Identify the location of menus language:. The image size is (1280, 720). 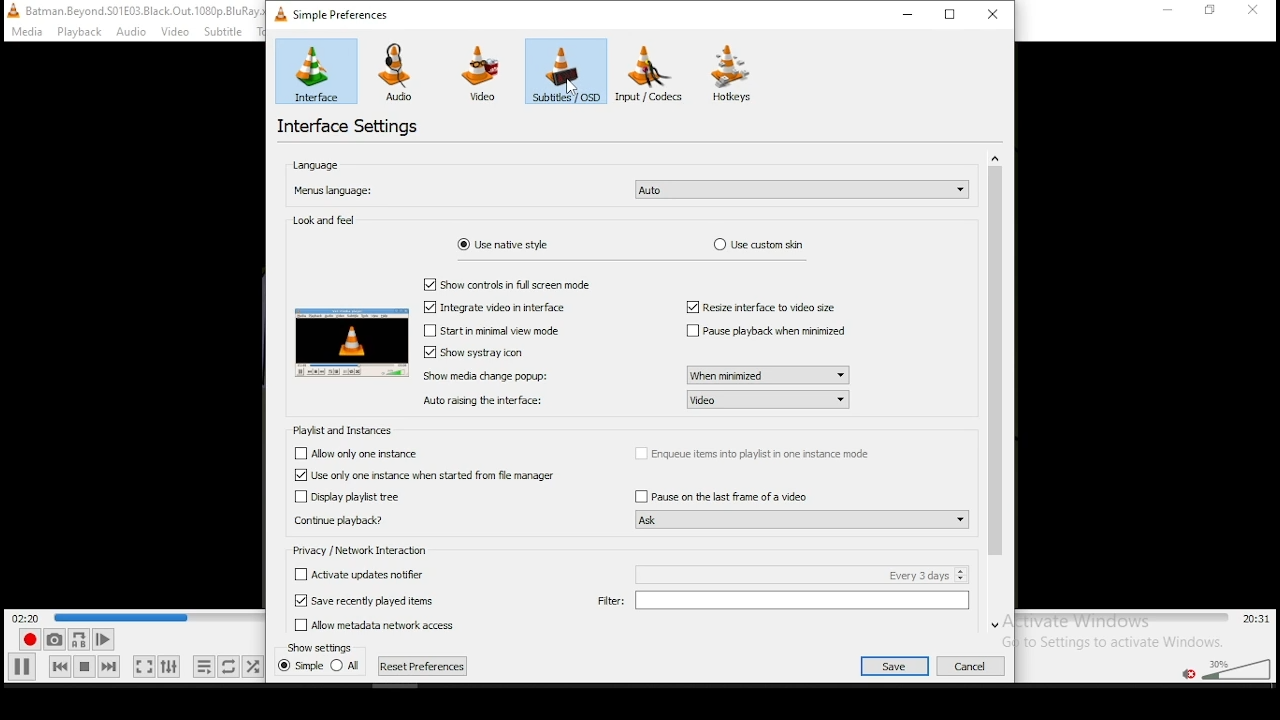
(334, 191).